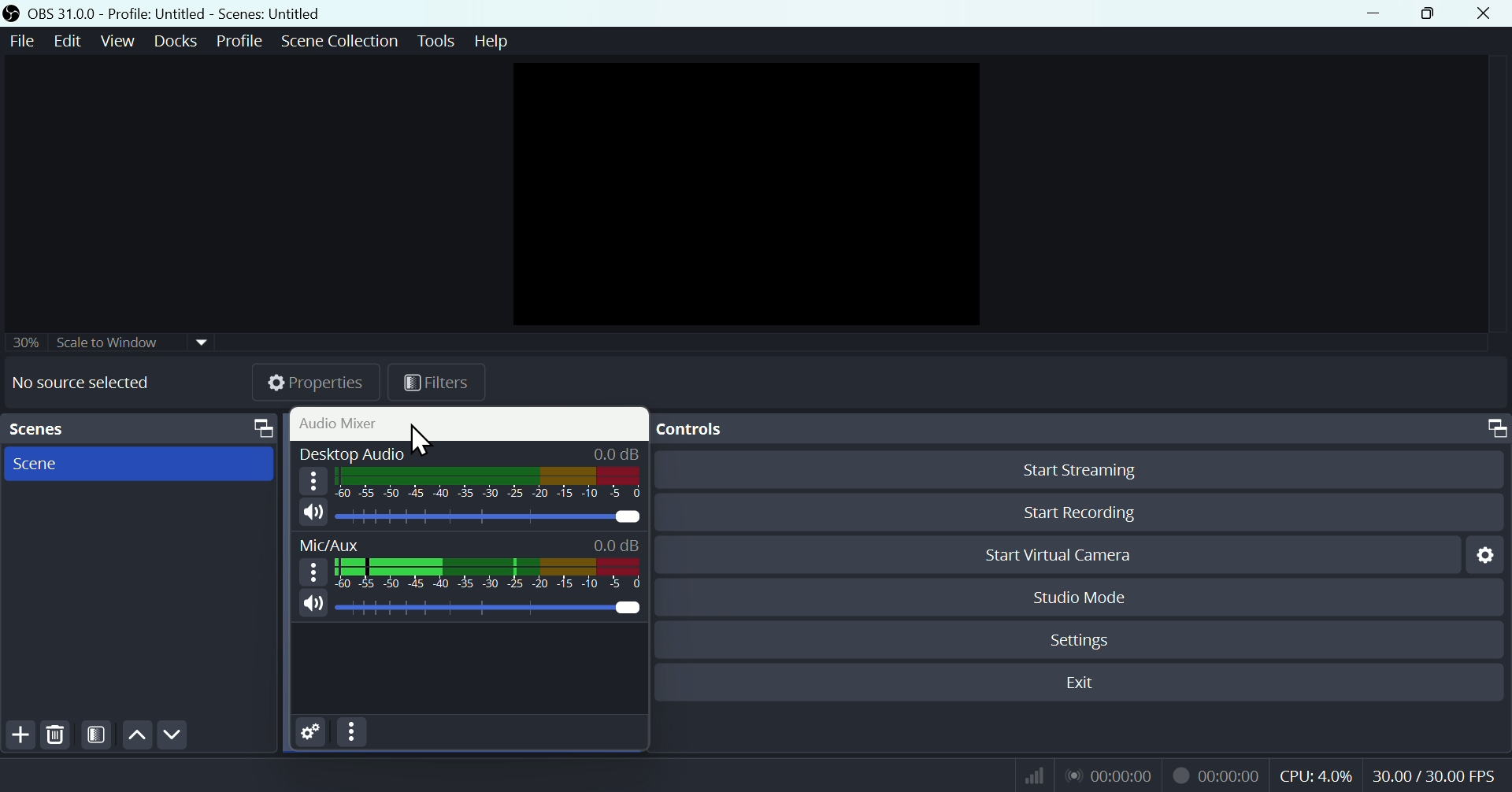 The height and width of the screenshot is (792, 1512). What do you see at coordinates (1376, 13) in the screenshot?
I see `minimise` at bounding box center [1376, 13].